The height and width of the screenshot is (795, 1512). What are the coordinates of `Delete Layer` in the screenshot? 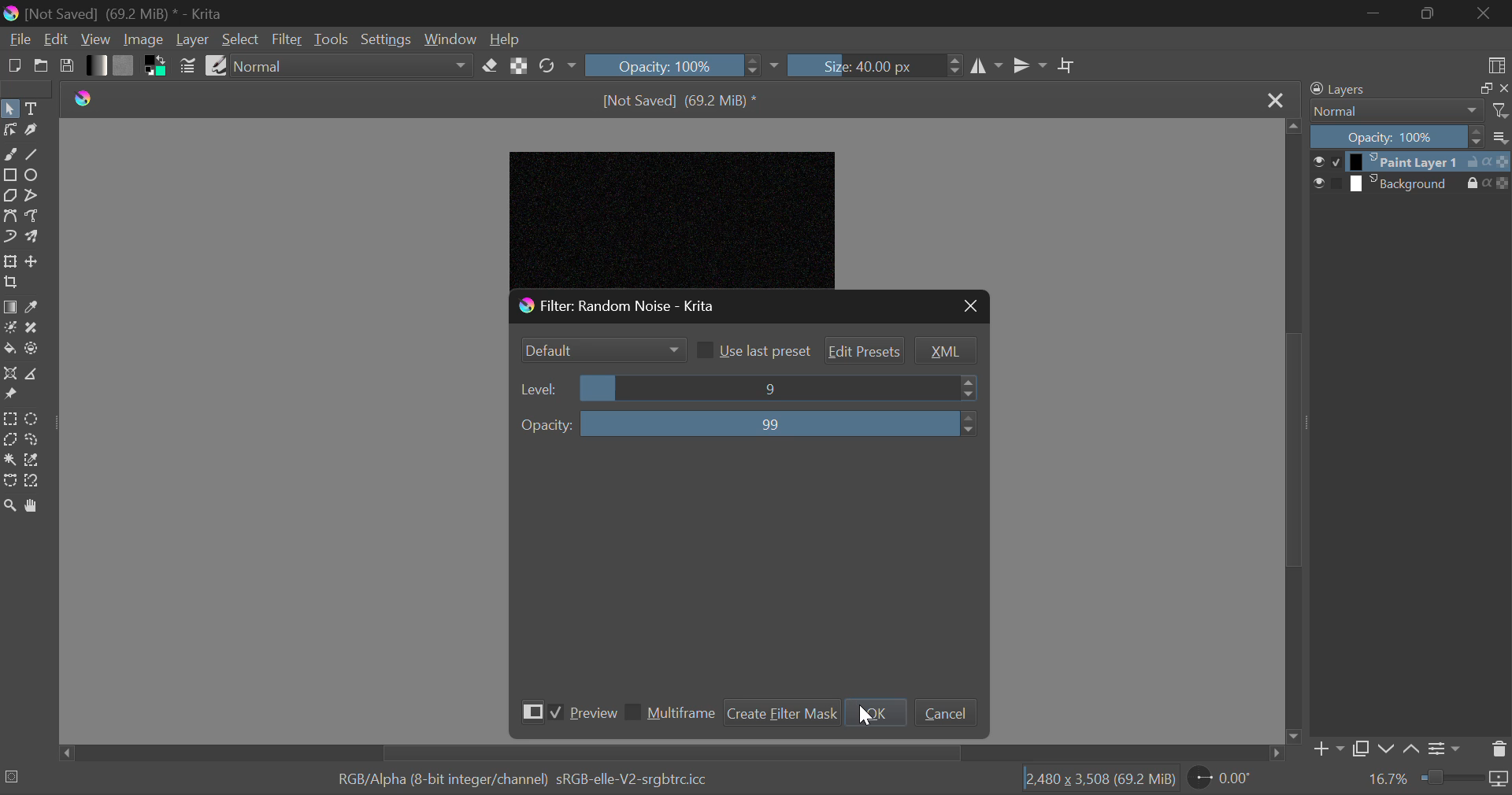 It's located at (1499, 751).